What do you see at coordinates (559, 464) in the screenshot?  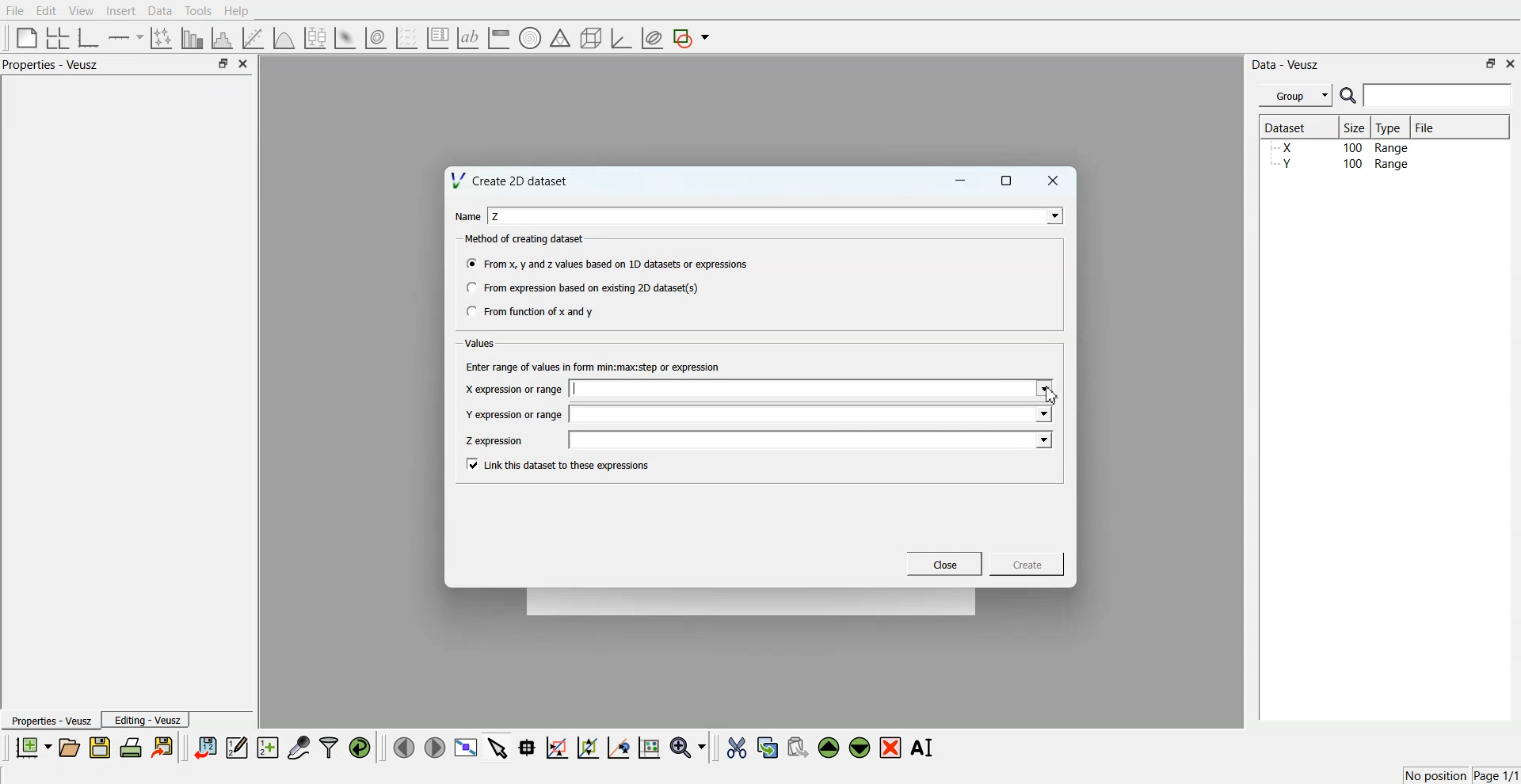 I see `il [Link this dataset to these expressions` at bounding box center [559, 464].